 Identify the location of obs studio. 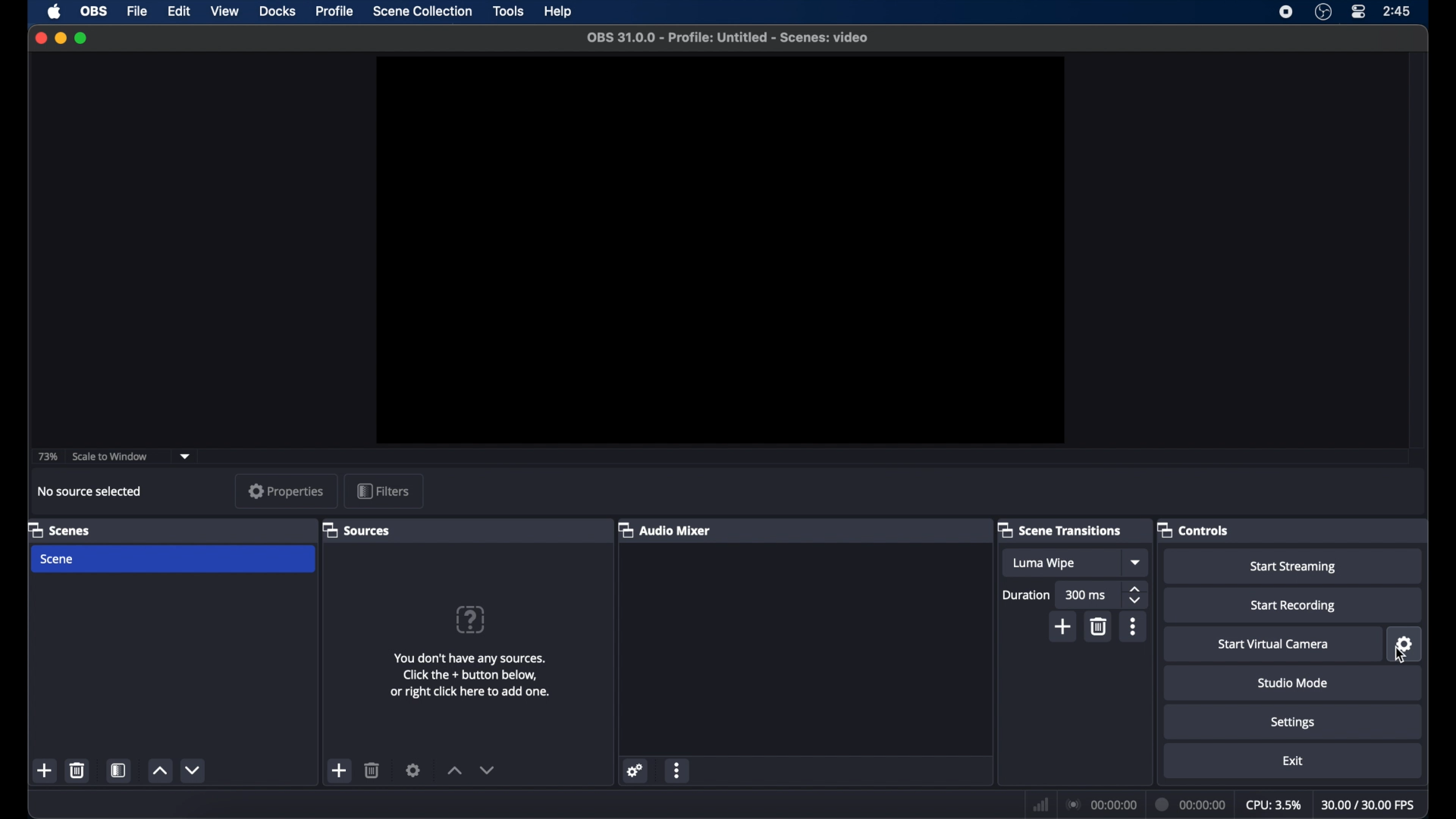
(1323, 12).